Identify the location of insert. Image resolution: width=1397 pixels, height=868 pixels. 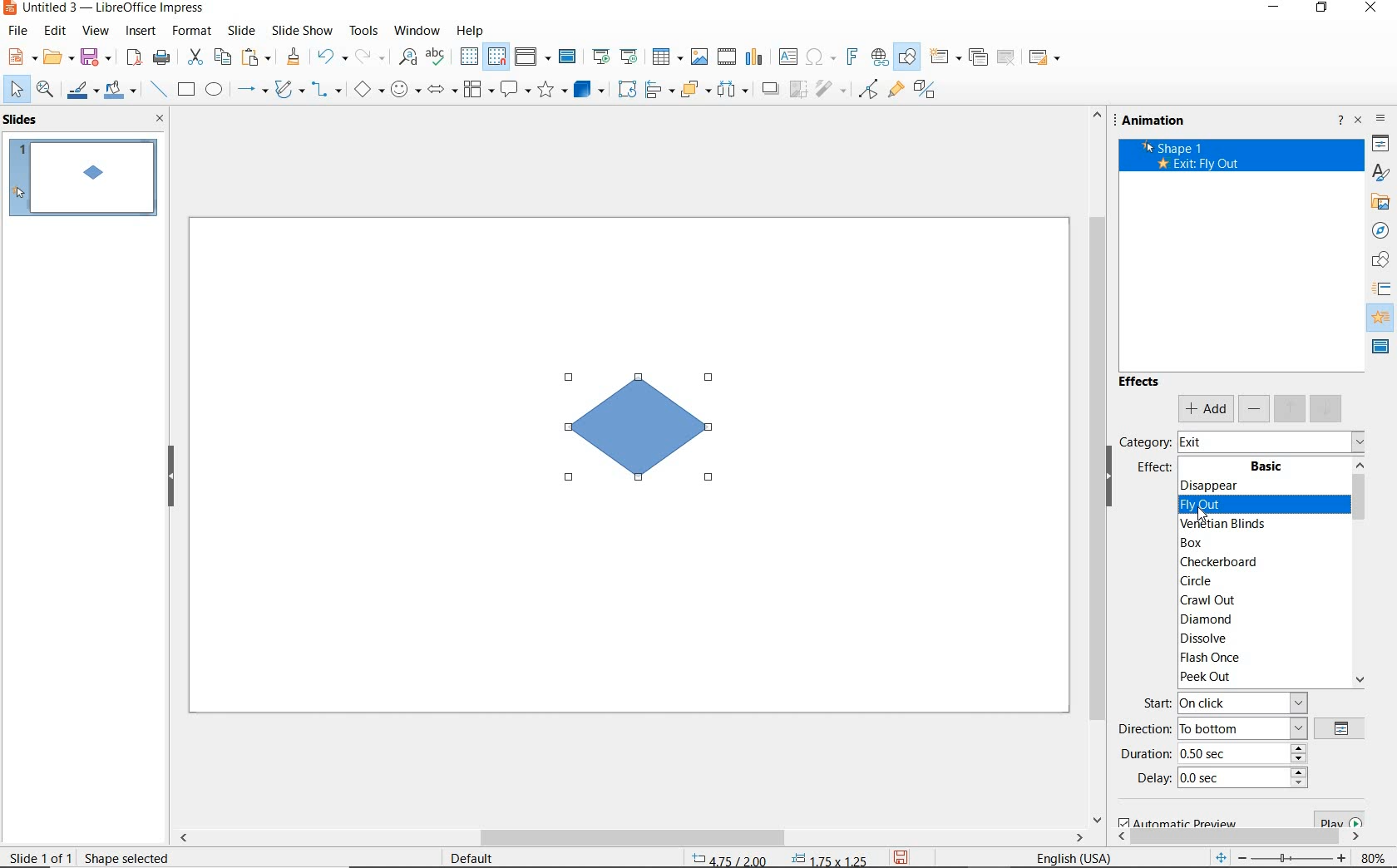
(141, 32).